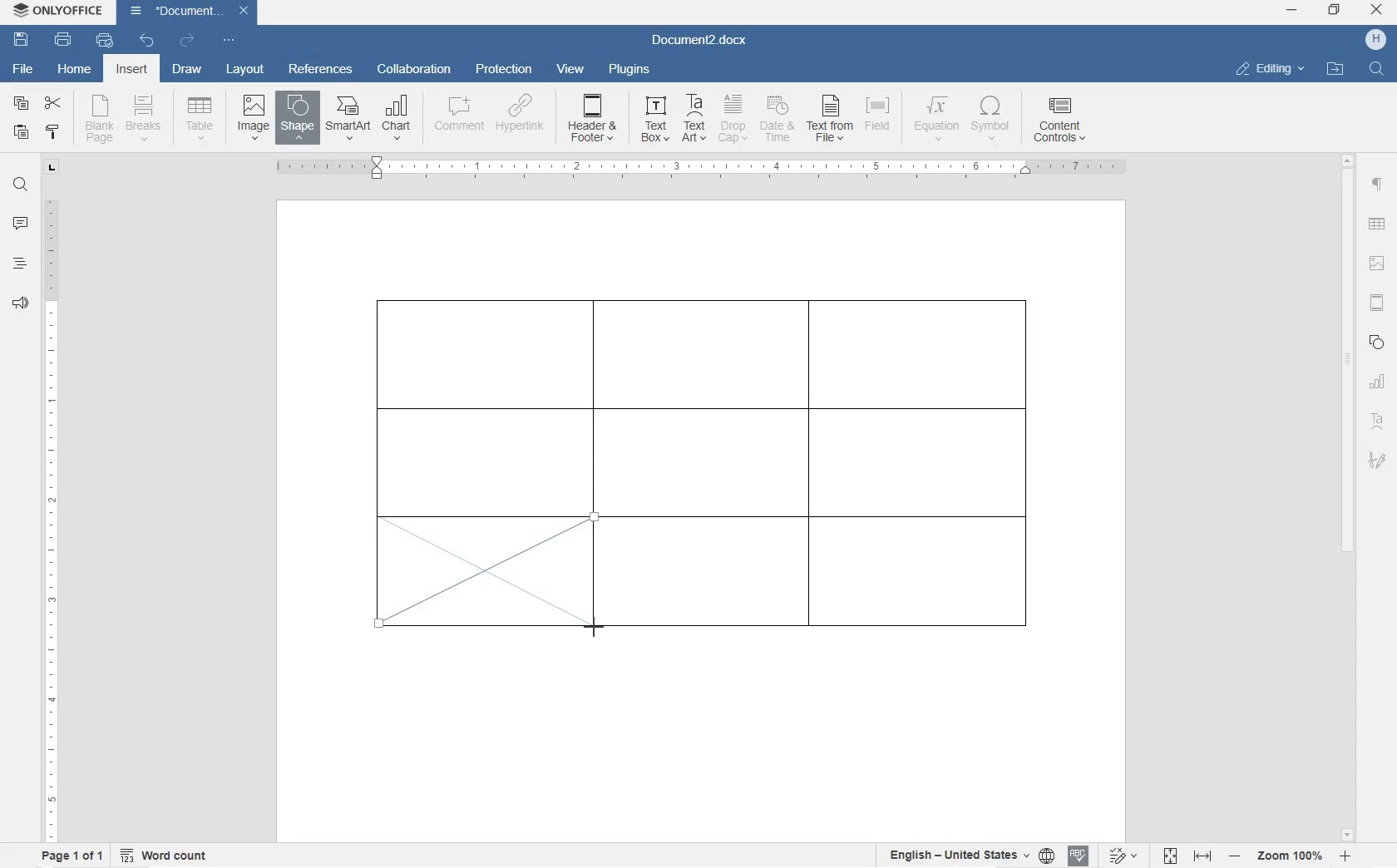  What do you see at coordinates (1380, 382) in the screenshot?
I see `chart settings` at bounding box center [1380, 382].